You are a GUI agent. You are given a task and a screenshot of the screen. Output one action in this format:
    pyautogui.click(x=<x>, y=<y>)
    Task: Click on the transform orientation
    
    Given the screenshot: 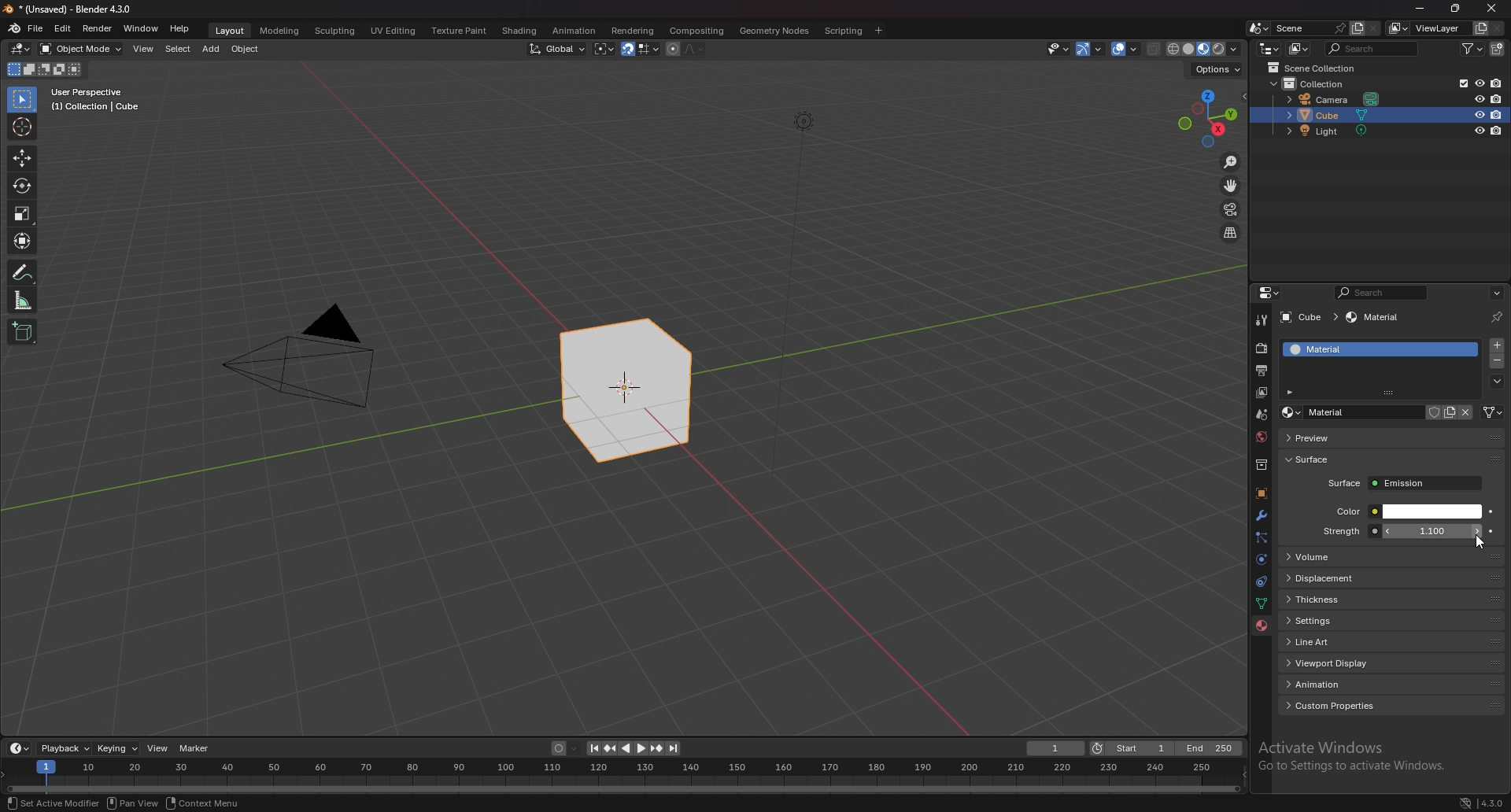 What is the action you would take?
    pyautogui.click(x=557, y=48)
    